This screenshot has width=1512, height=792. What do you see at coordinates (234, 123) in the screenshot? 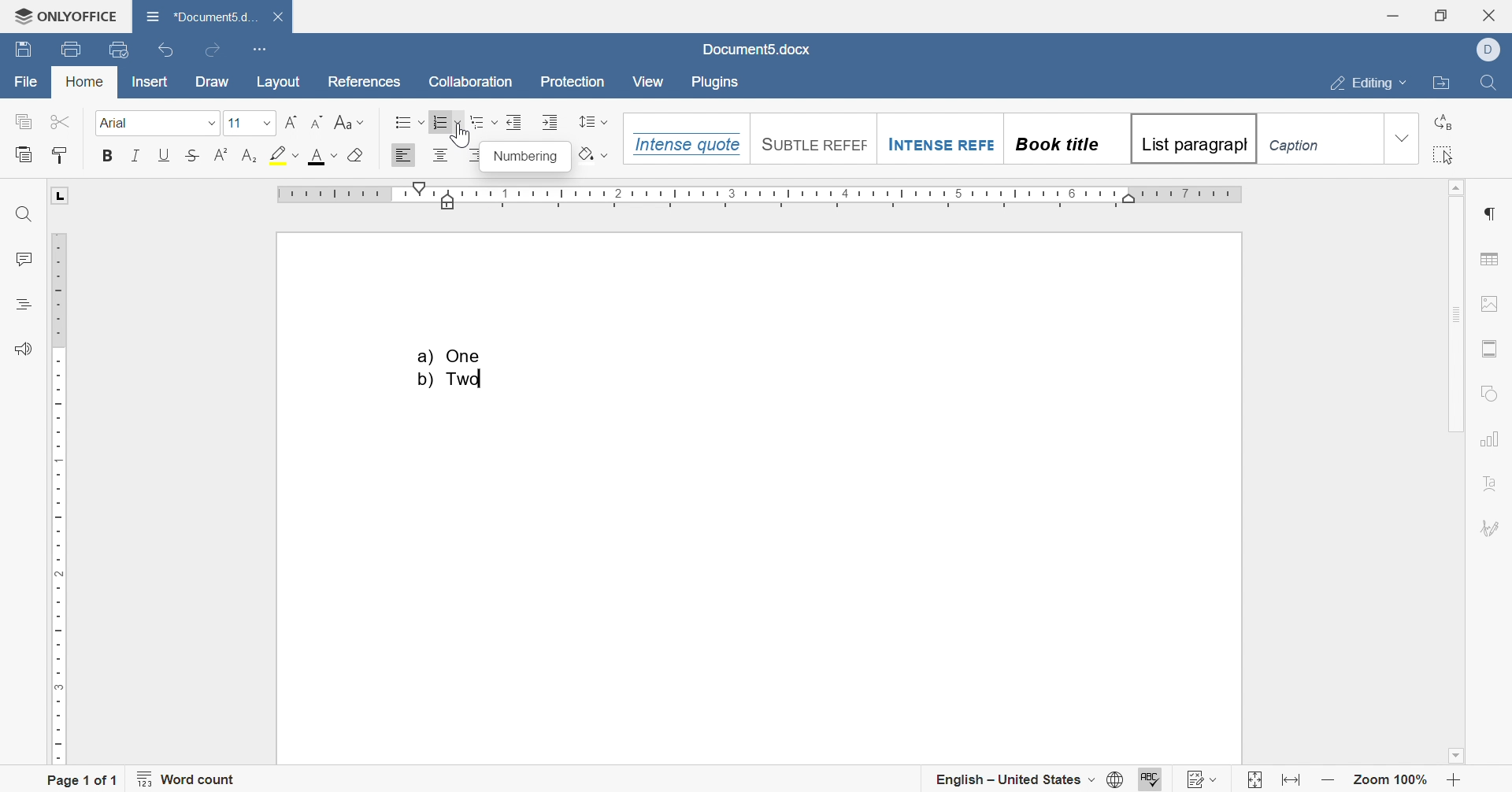
I see `font size` at bounding box center [234, 123].